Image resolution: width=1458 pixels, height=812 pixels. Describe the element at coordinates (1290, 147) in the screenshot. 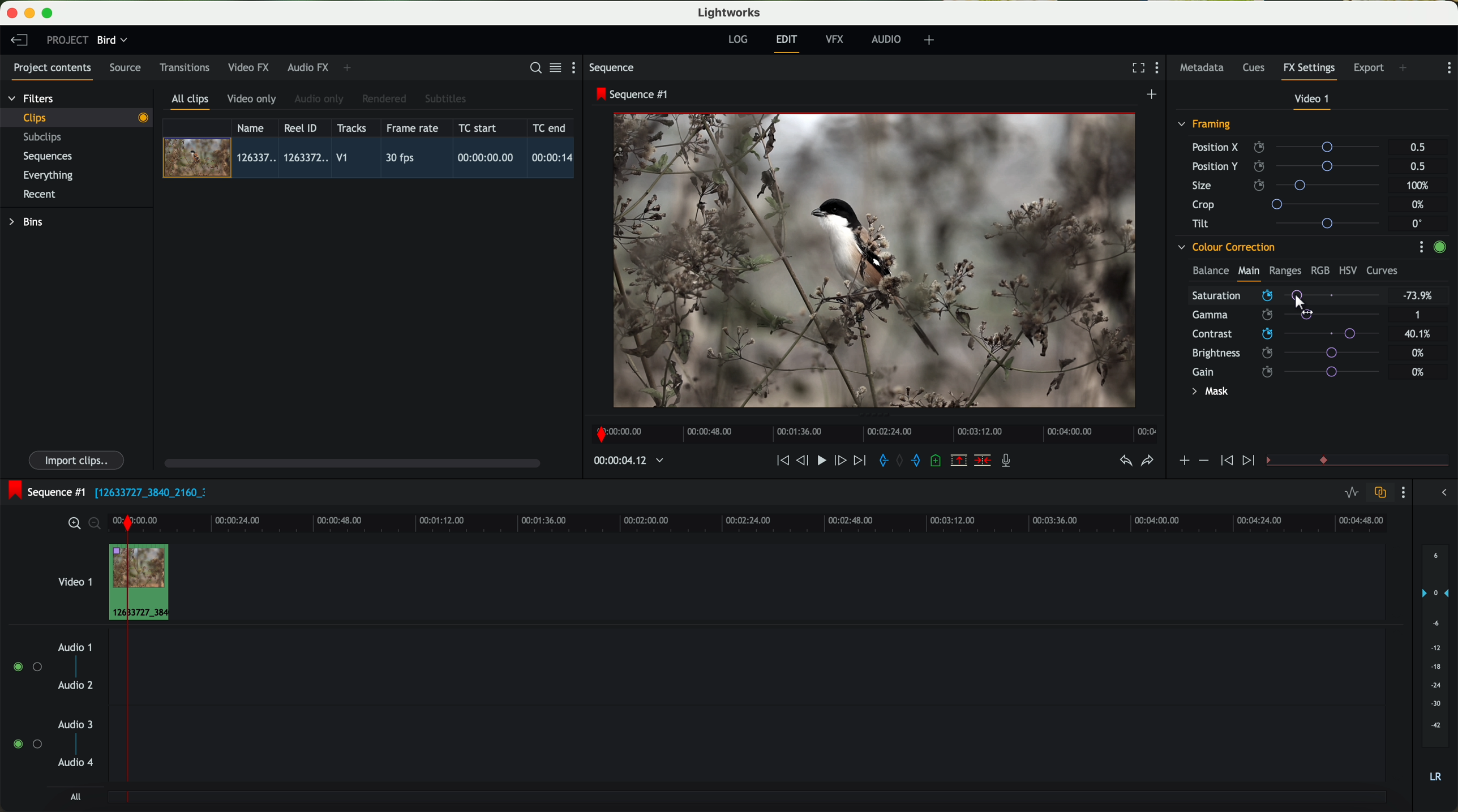

I see `position X` at that location.